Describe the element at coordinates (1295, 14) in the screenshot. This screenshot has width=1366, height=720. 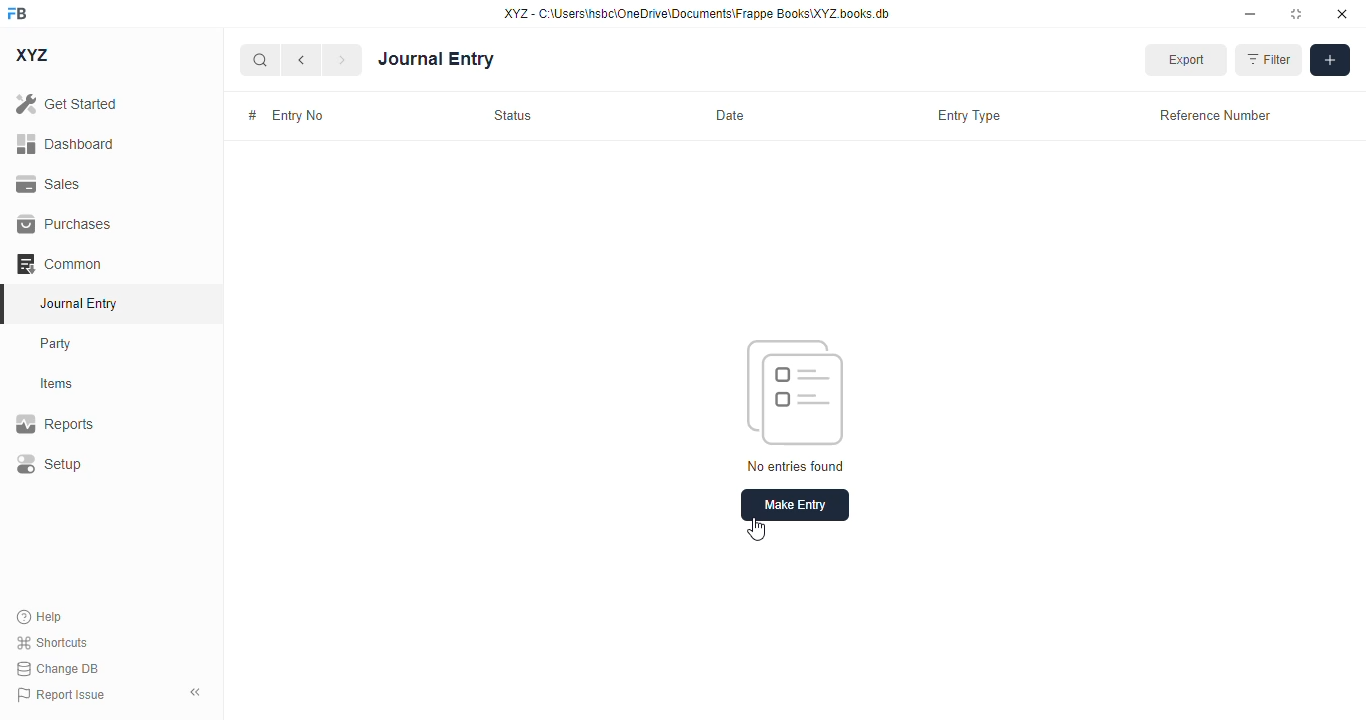
I see `toggle maximize` at that location.